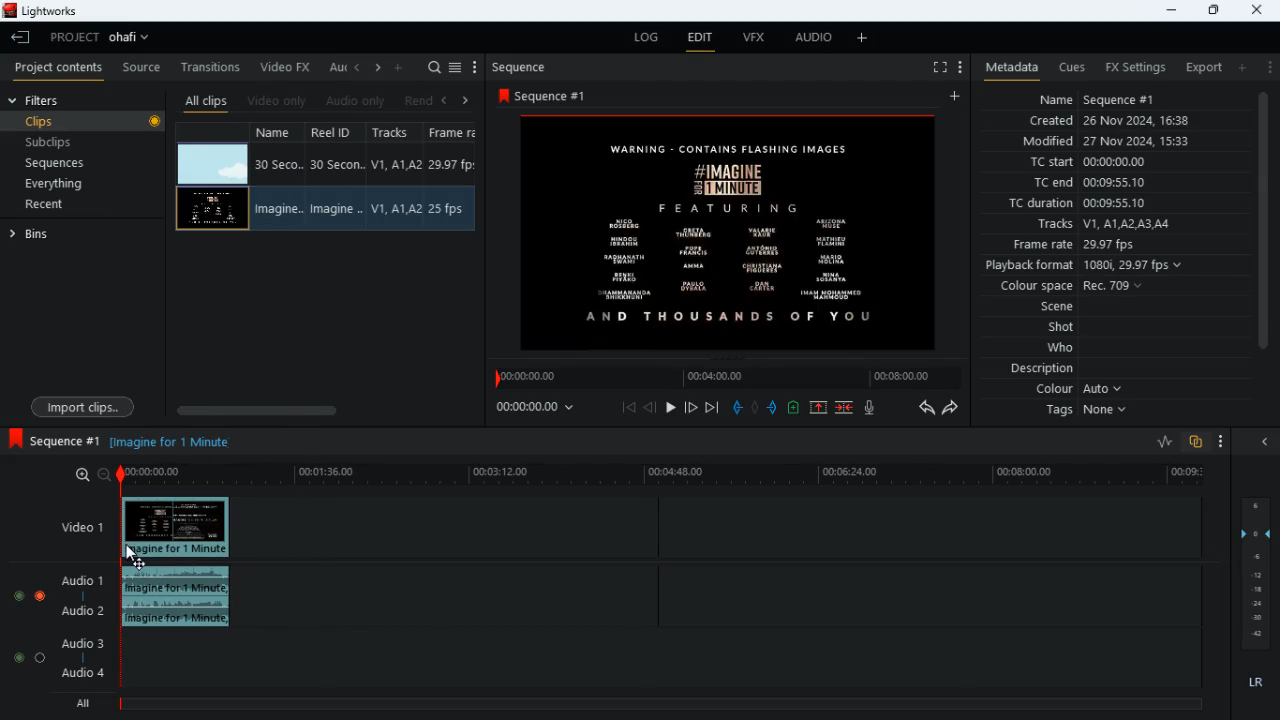 The width and height of the screenshot is (1280, 720). I want to click on bins, so click(39, 238).